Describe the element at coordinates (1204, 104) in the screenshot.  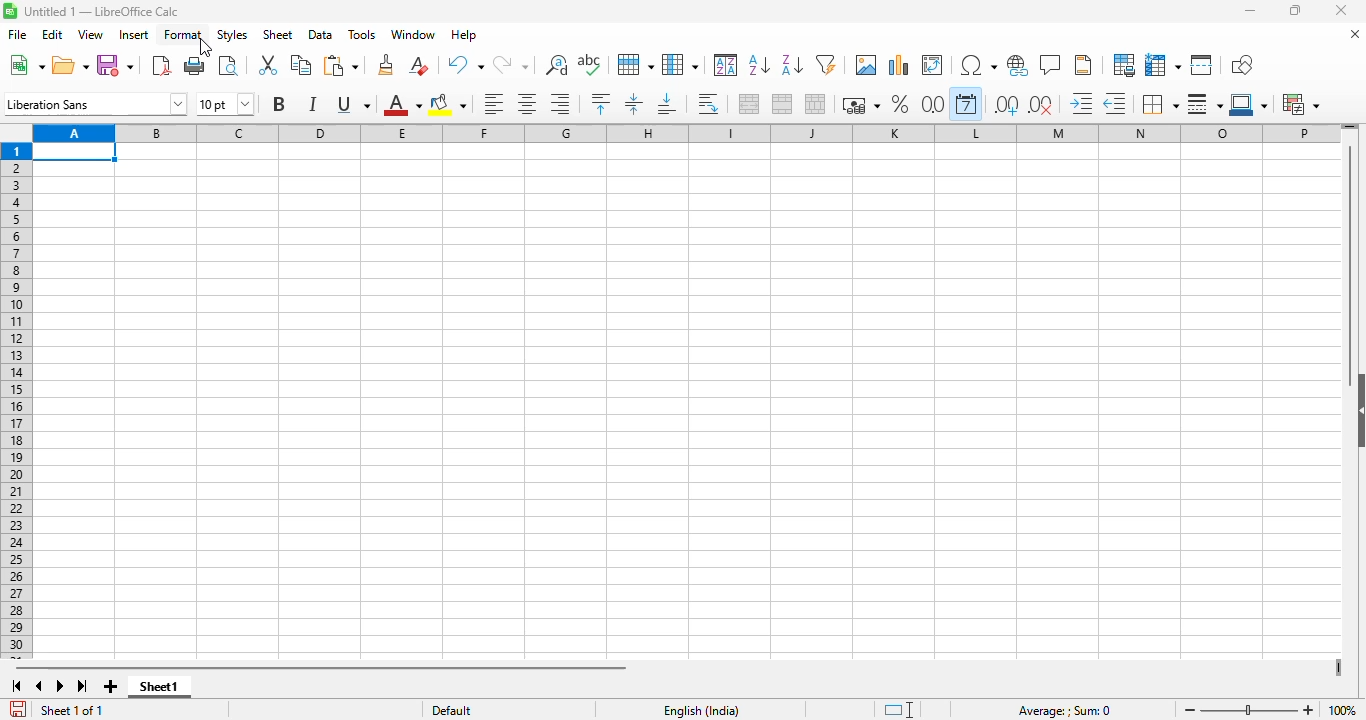
I see `border style` at that location.